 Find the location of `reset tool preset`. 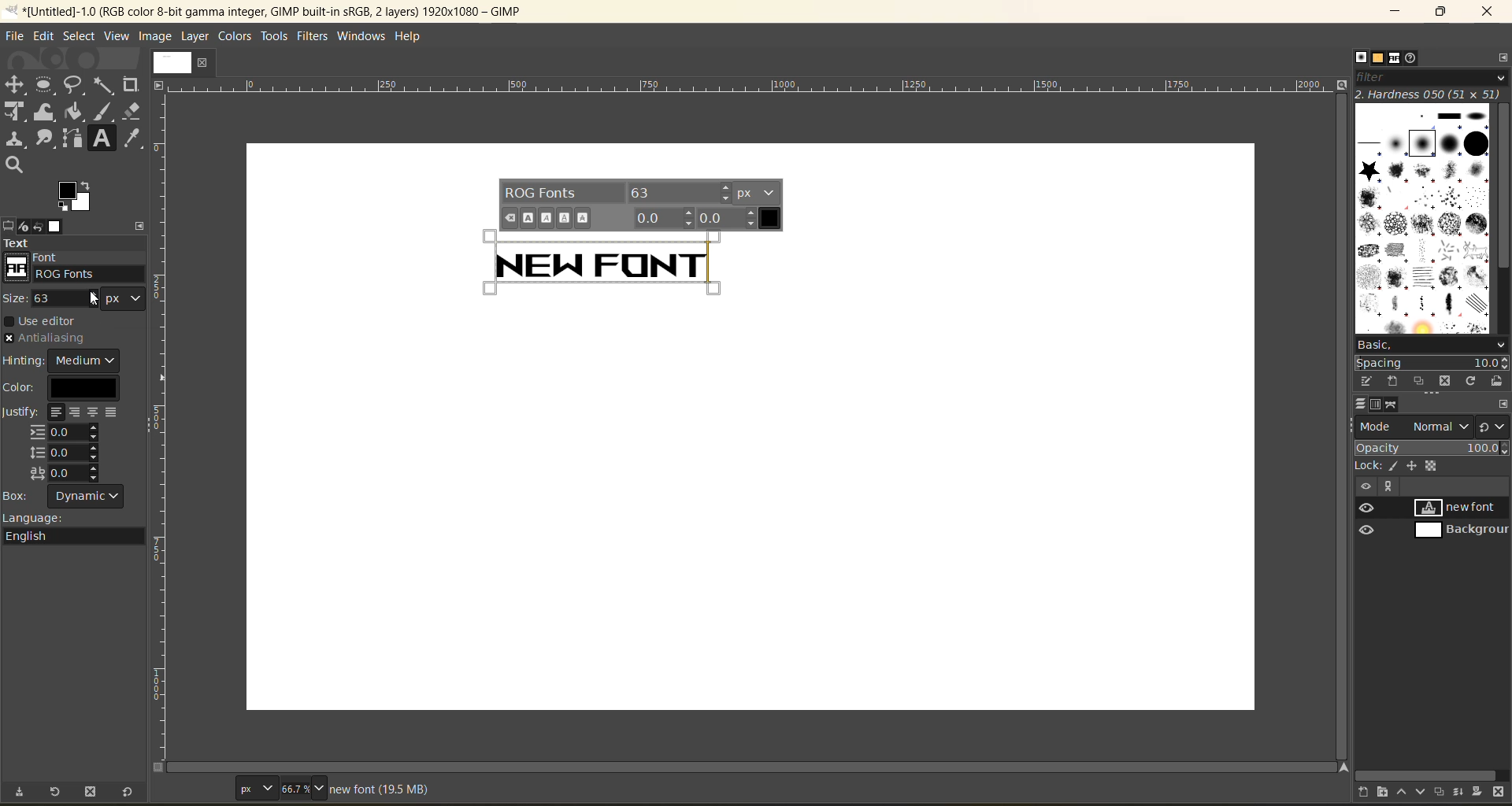

reset tool preset is located at coordinates (128, 793).